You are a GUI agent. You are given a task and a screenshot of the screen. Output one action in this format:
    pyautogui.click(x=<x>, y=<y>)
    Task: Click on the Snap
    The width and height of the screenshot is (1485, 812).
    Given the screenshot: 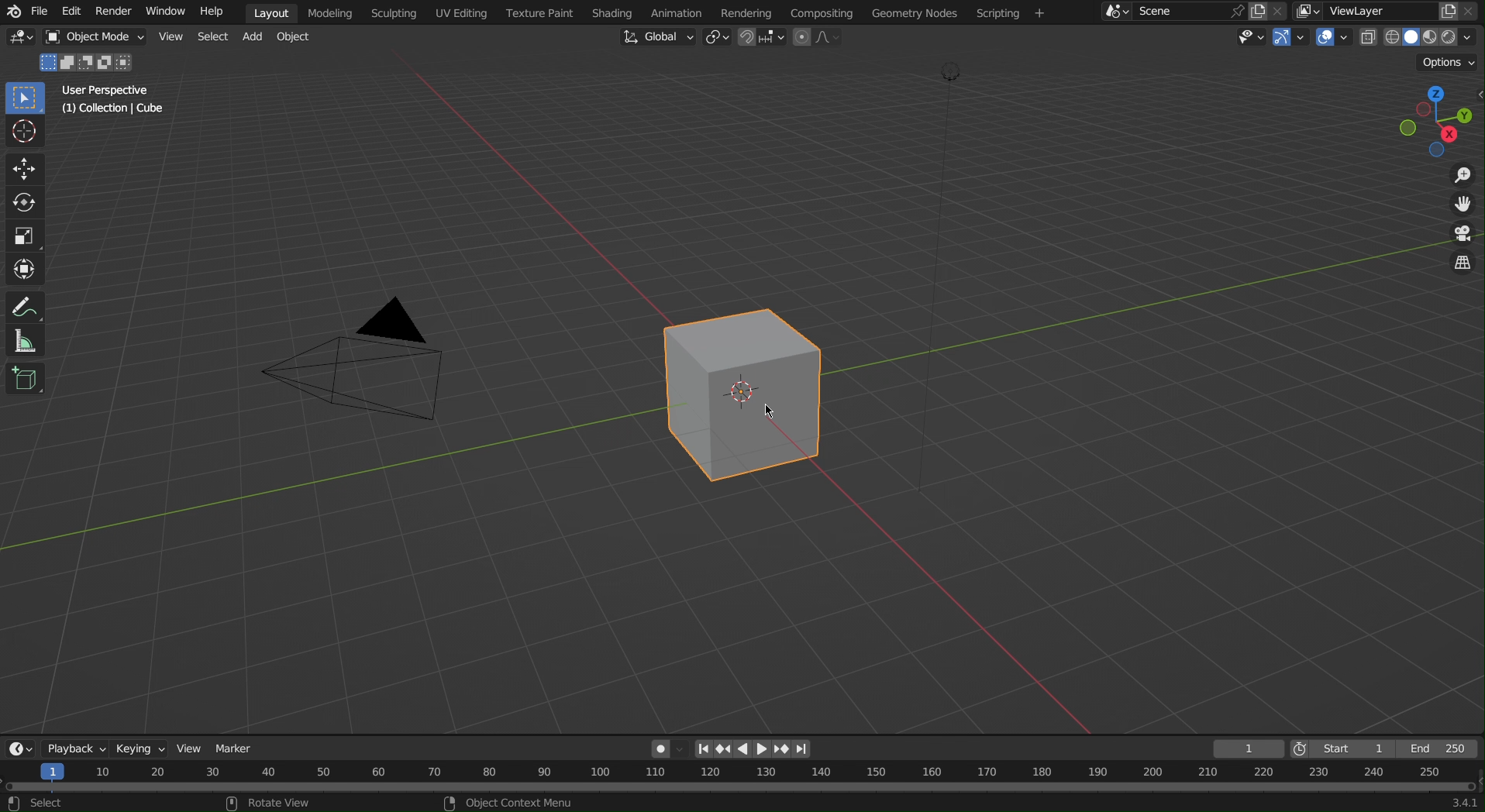 What is the action you would take?
    pyautogui.click(x=761, y=38)
    